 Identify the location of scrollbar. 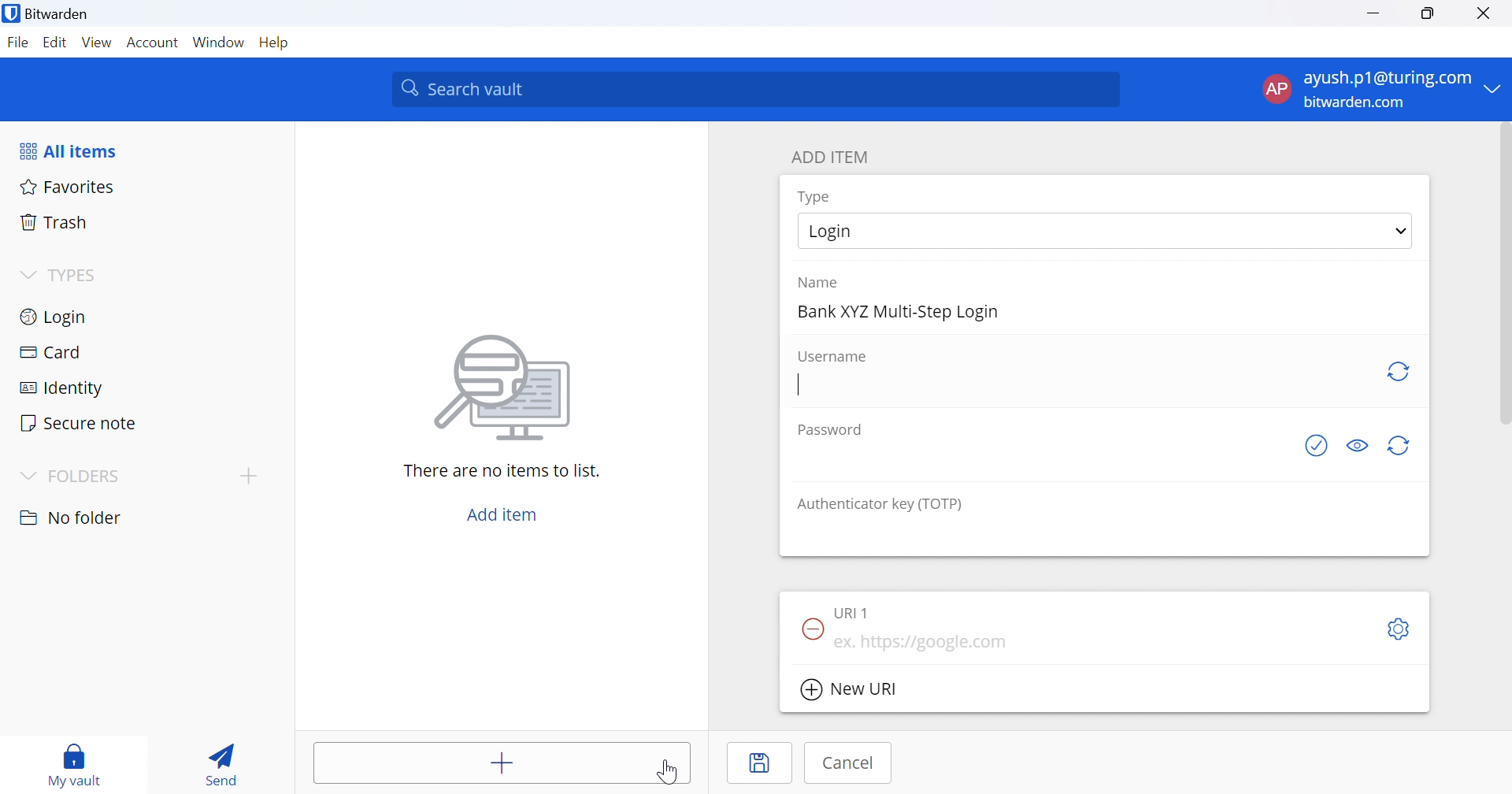
(1503, 276).